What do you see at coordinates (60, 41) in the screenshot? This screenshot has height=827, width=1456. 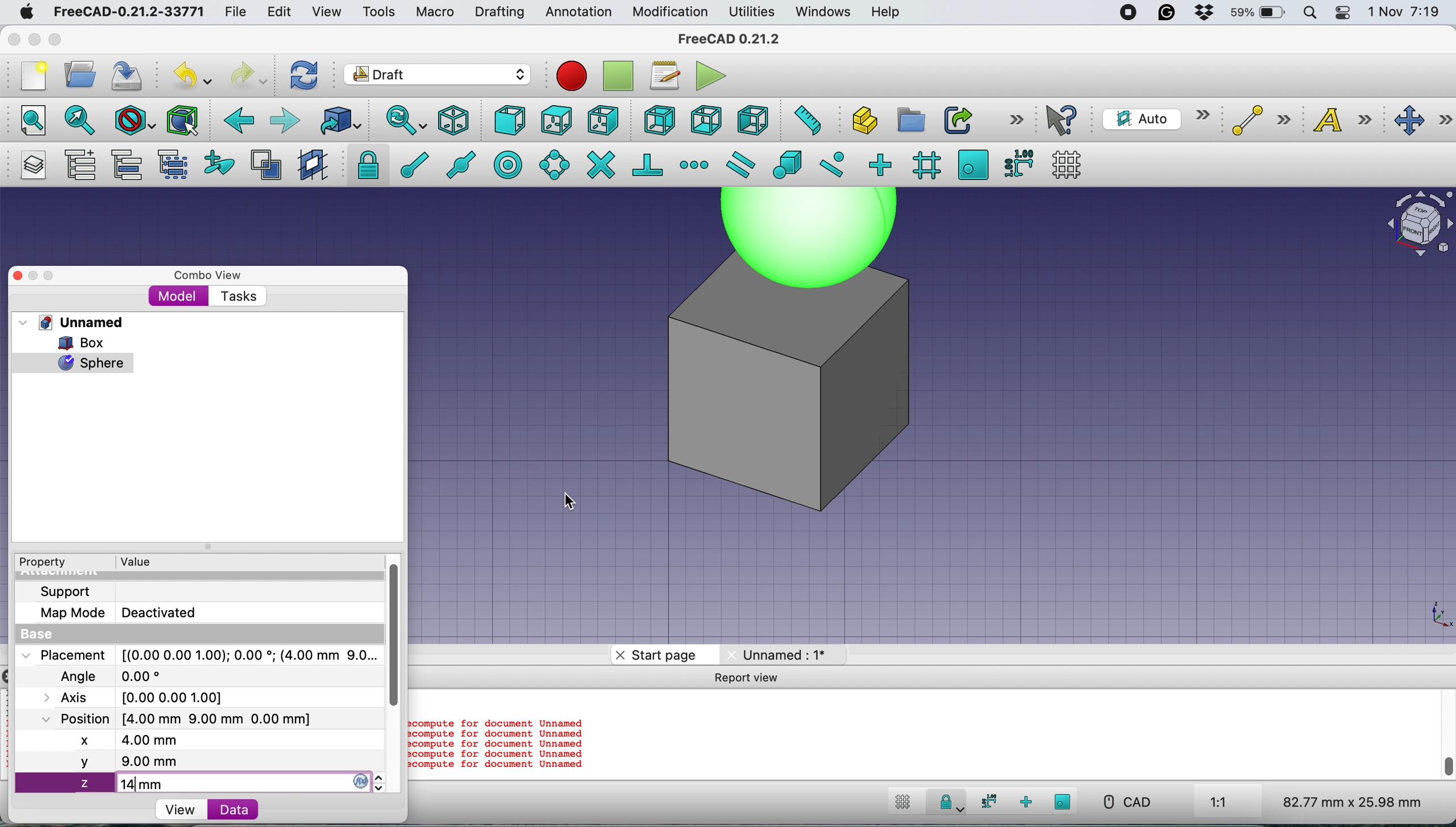 I see `maximise` at bounding box center [60, 41].